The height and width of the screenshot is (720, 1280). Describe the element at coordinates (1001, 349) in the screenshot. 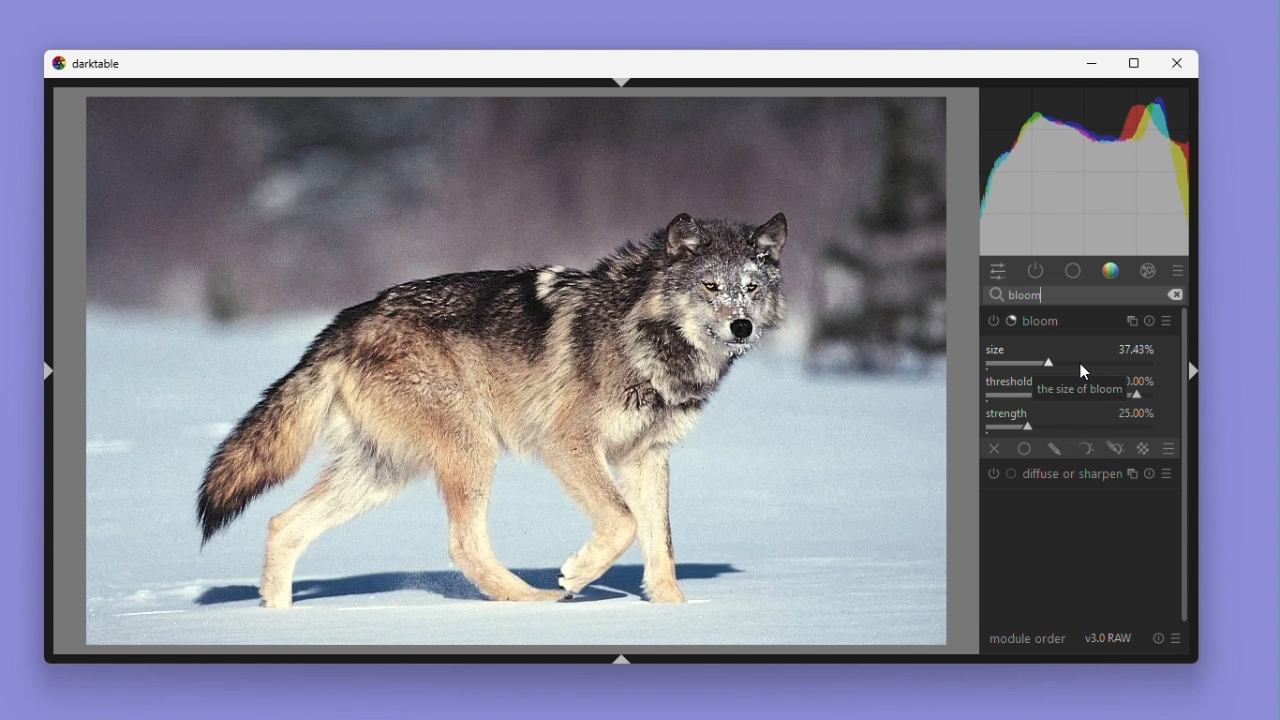

I see `Size` at that location.